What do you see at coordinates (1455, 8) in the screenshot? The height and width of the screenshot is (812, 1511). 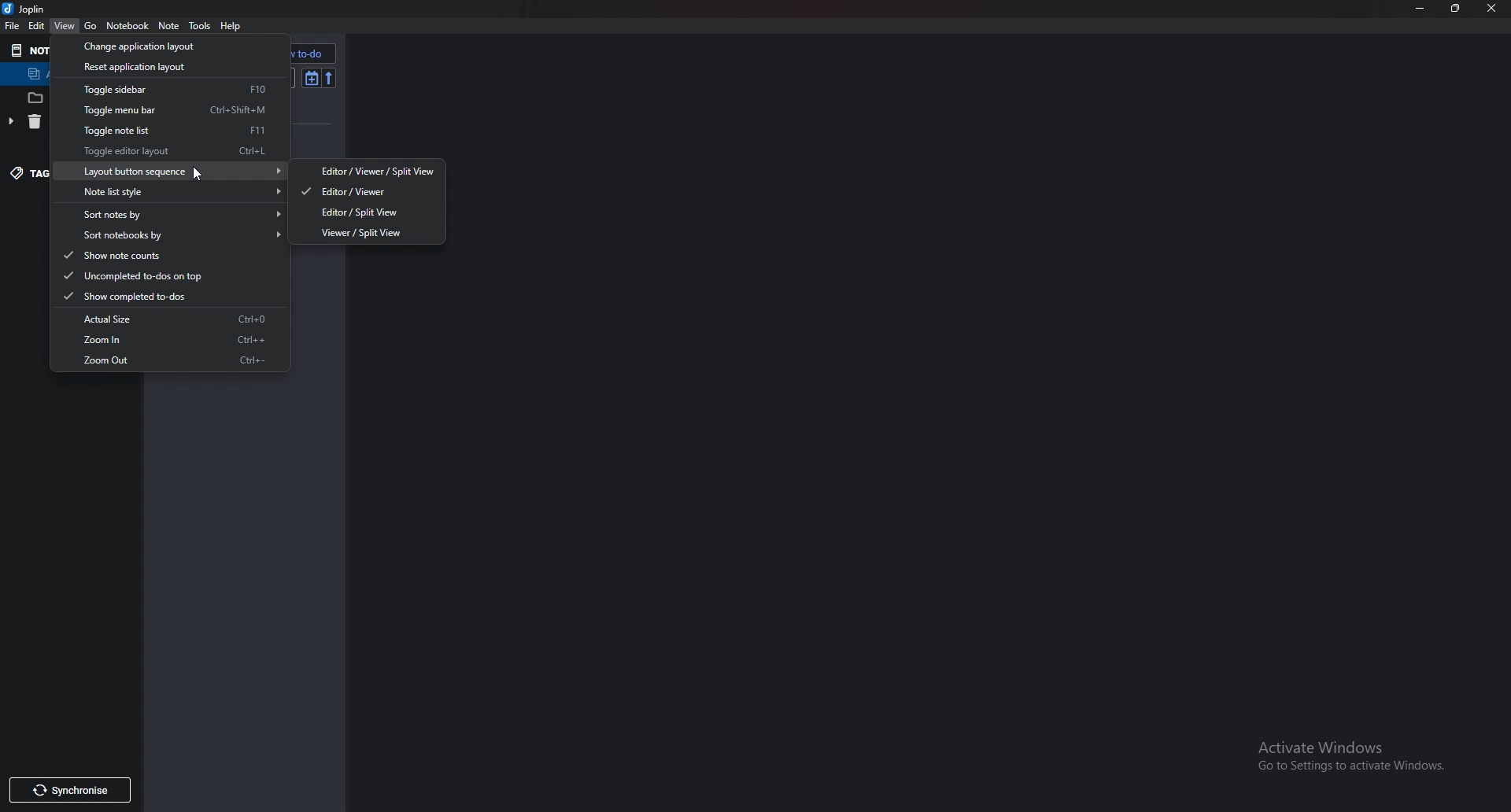 I see `Resize` at bounding box center [1455, 8].